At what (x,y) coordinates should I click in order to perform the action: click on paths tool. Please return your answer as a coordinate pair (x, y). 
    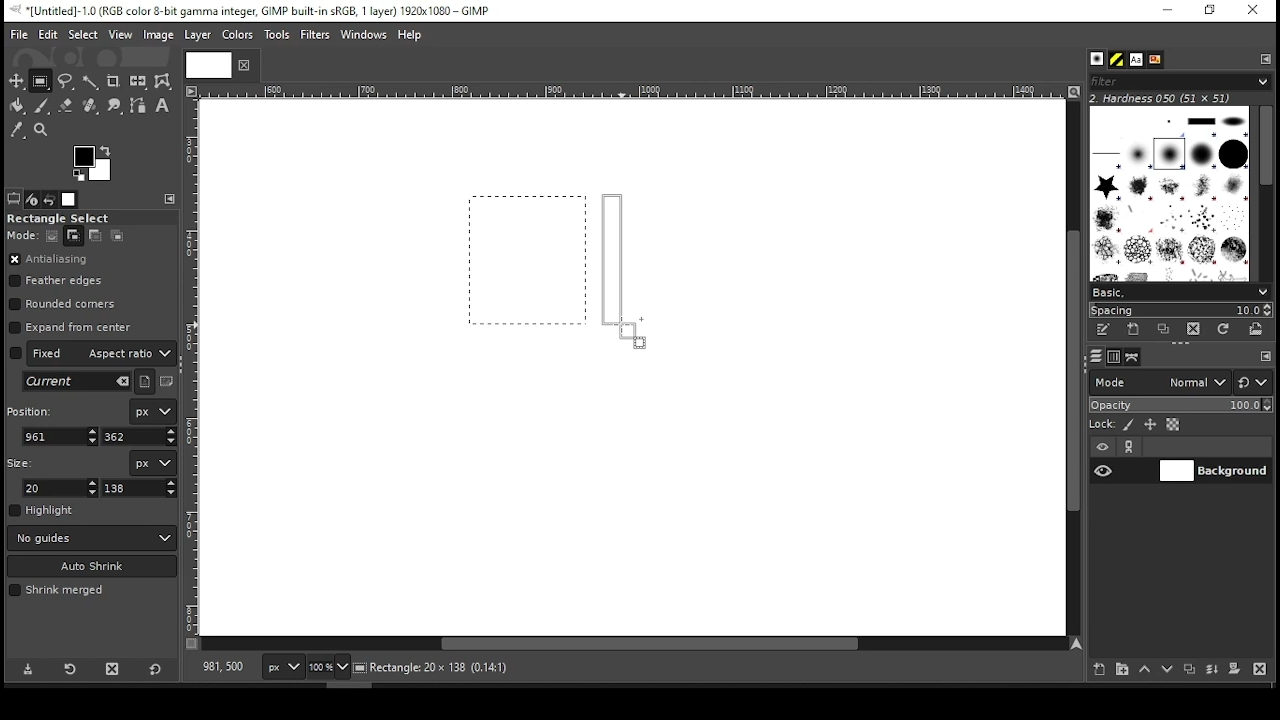
    Looking at the image, I should click on (139, 107).